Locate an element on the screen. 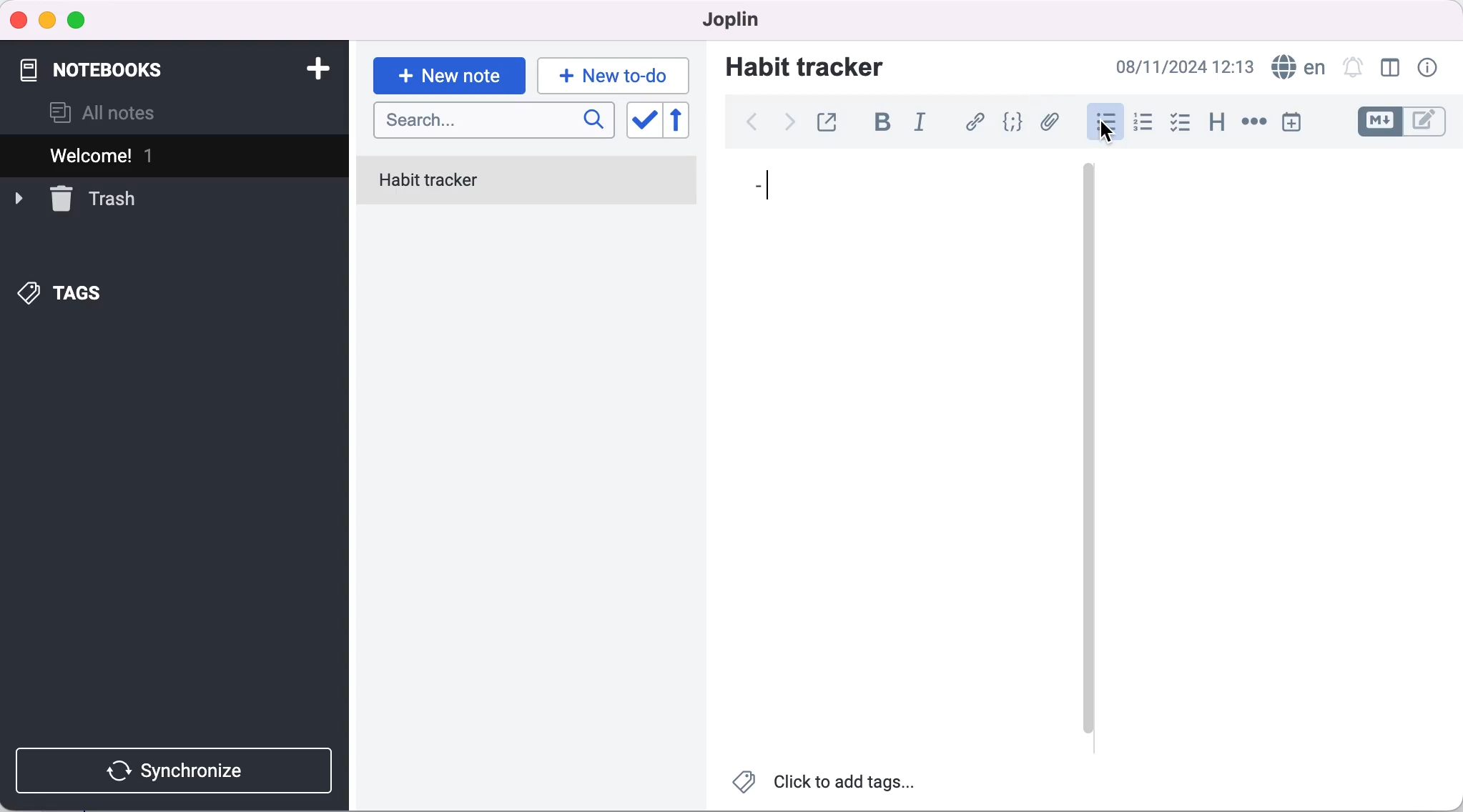 The image size is (1463, 812). maximize is located at coordinates (79, 21).